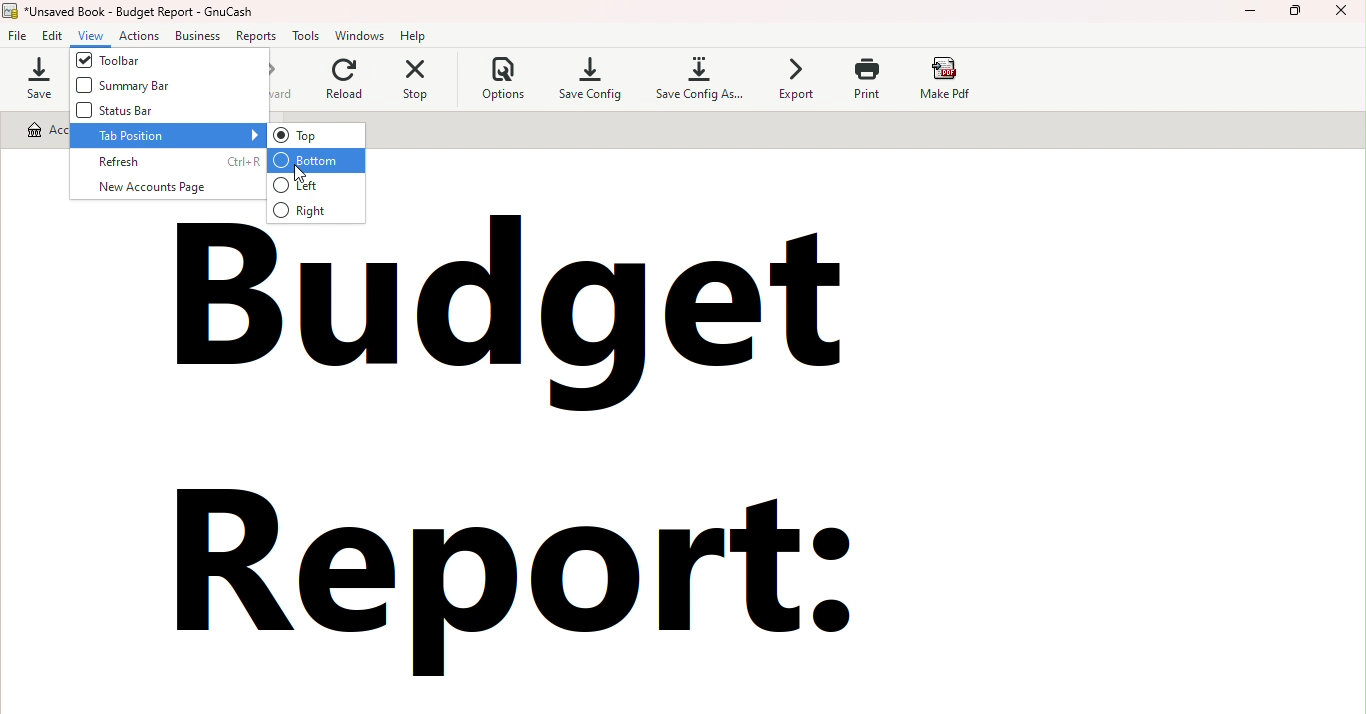 This screenshot has width=1366, height=714. What do you see at coordinates (129, 60) in the screenshot?
I see `Toolbar` at bounding box center [129, 60].